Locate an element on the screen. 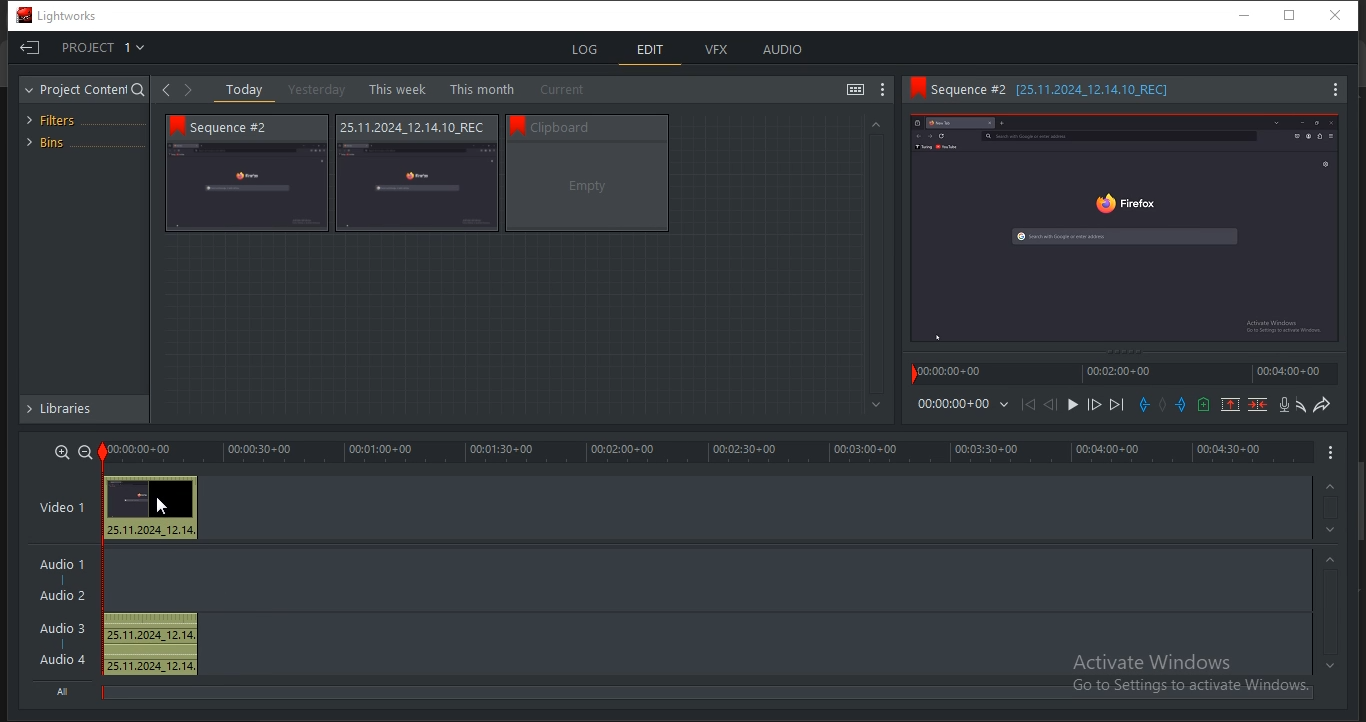  Move Backward is located at coordinates (1029, 406).